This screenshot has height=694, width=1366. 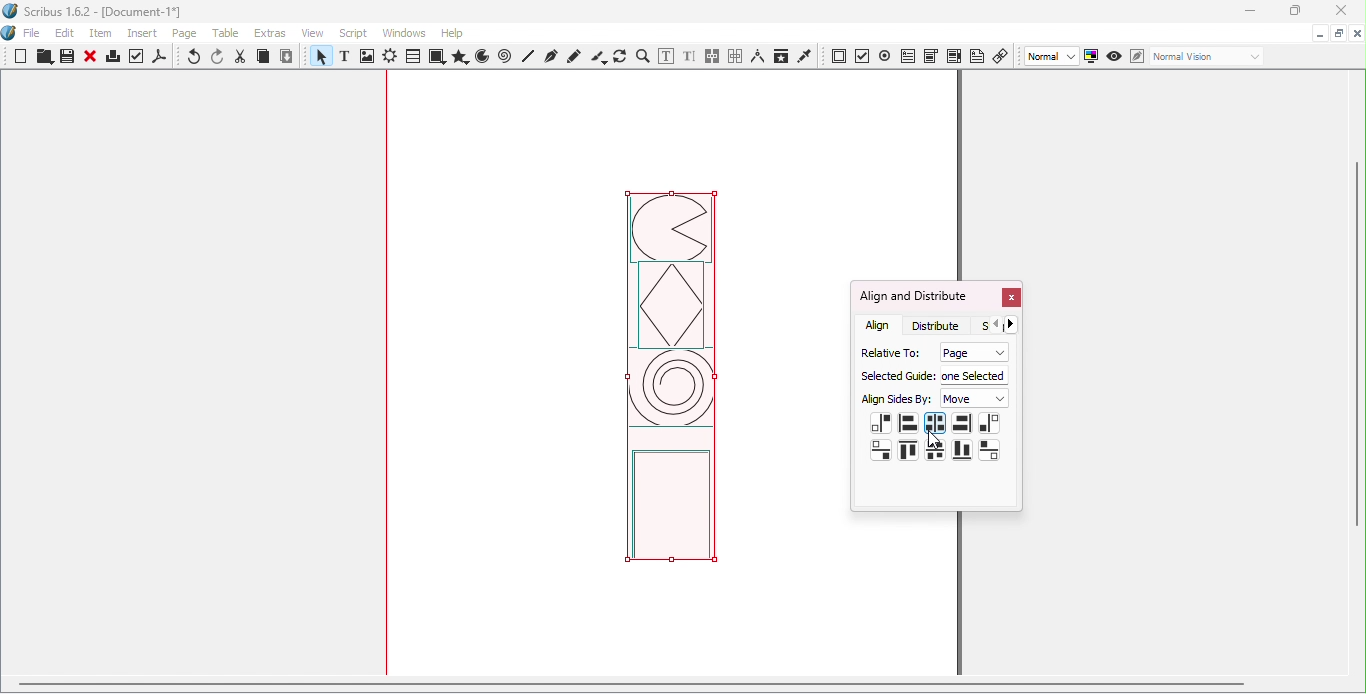 I want to click on Toggle color management system, so click(x=1092, y=55).